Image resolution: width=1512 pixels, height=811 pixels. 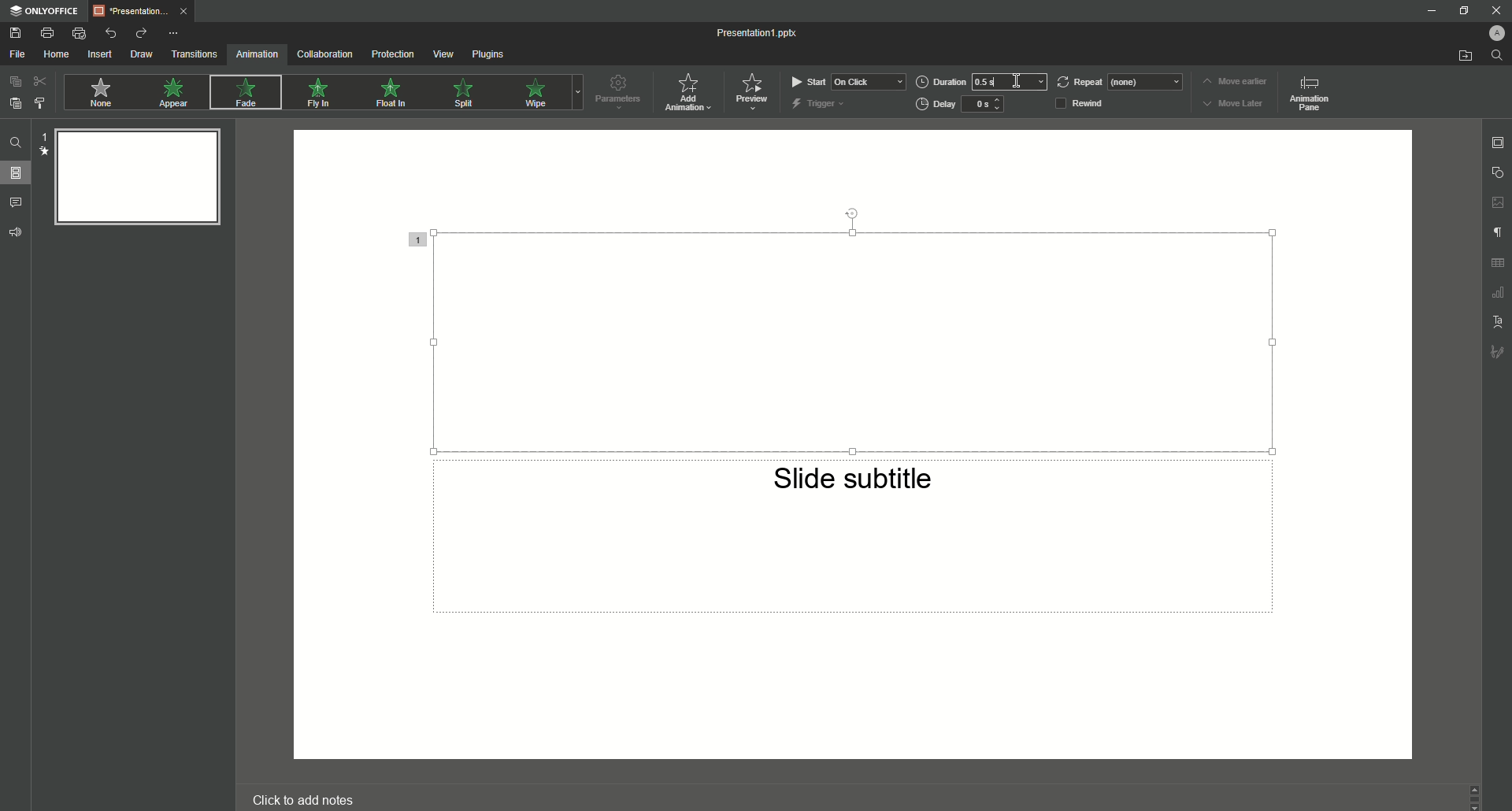 What do you see at coordinates (980, 81) in the screenshot?
I see `Duration` at bounding box center [980, 81].